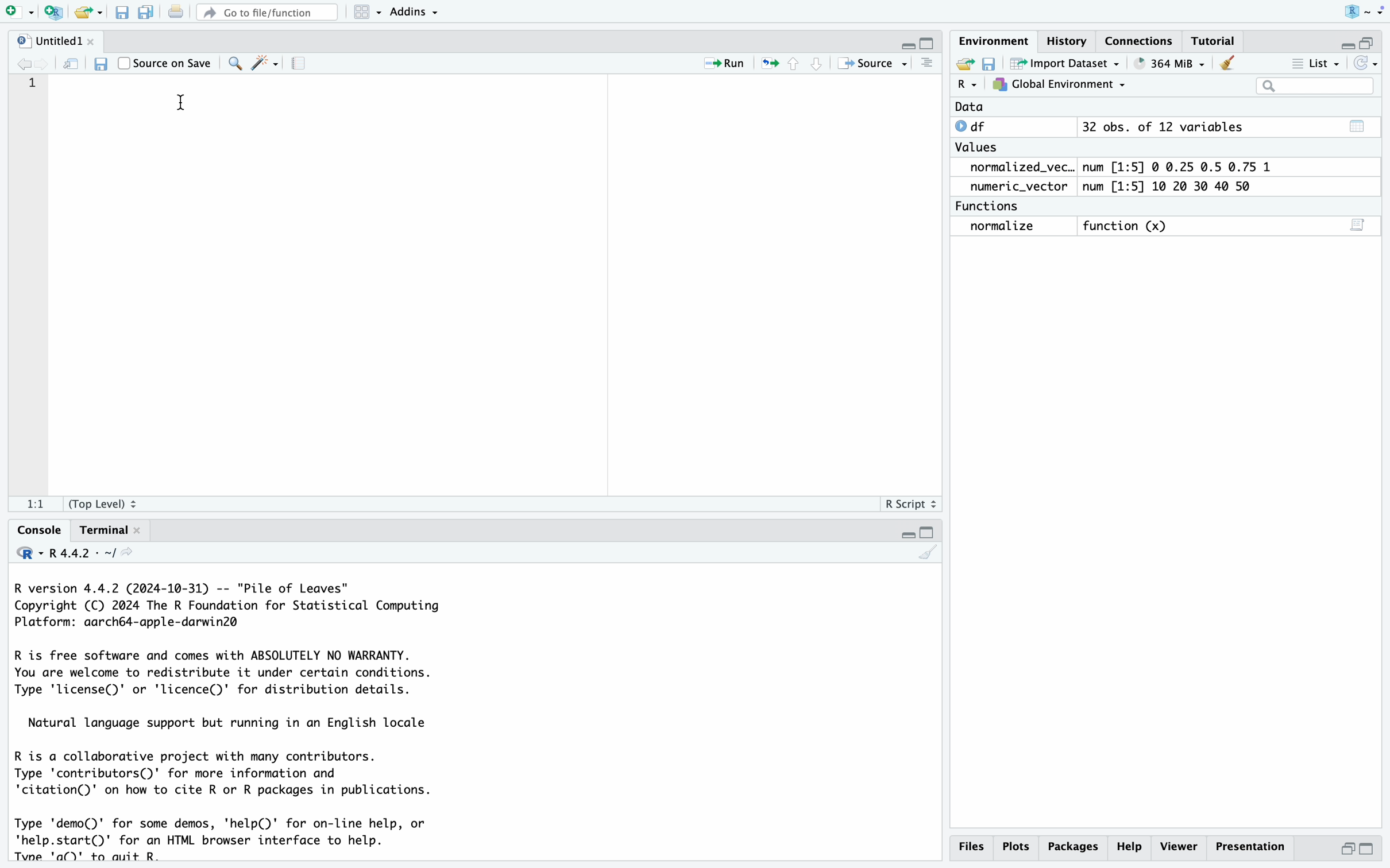  Describe the element at coordinates (1162, 128) in the screenshot. I see `32 obs. of 12 variables` at that location.